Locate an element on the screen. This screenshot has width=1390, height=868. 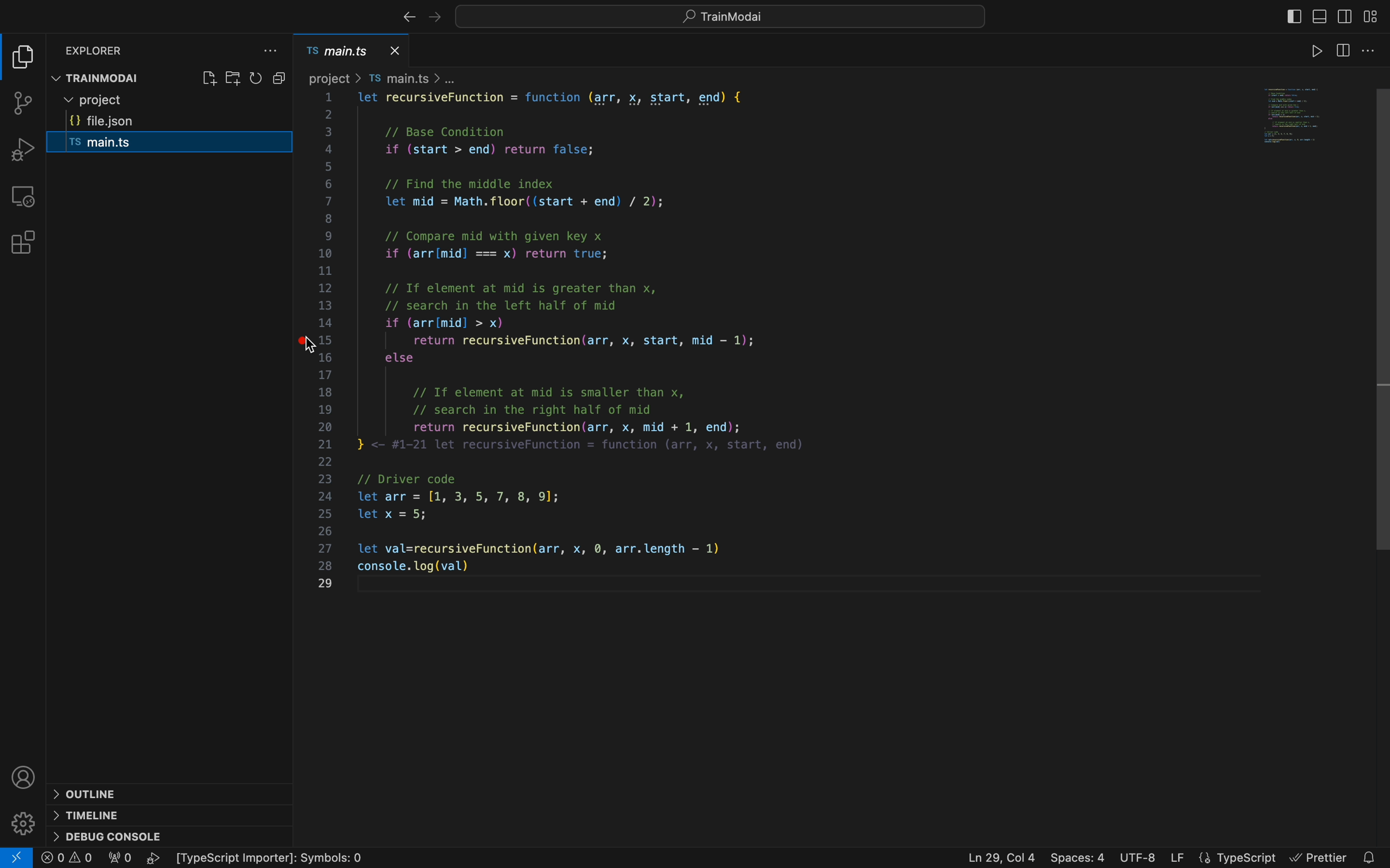
Ln-29, Col4 is located at coordinates (991, 856).